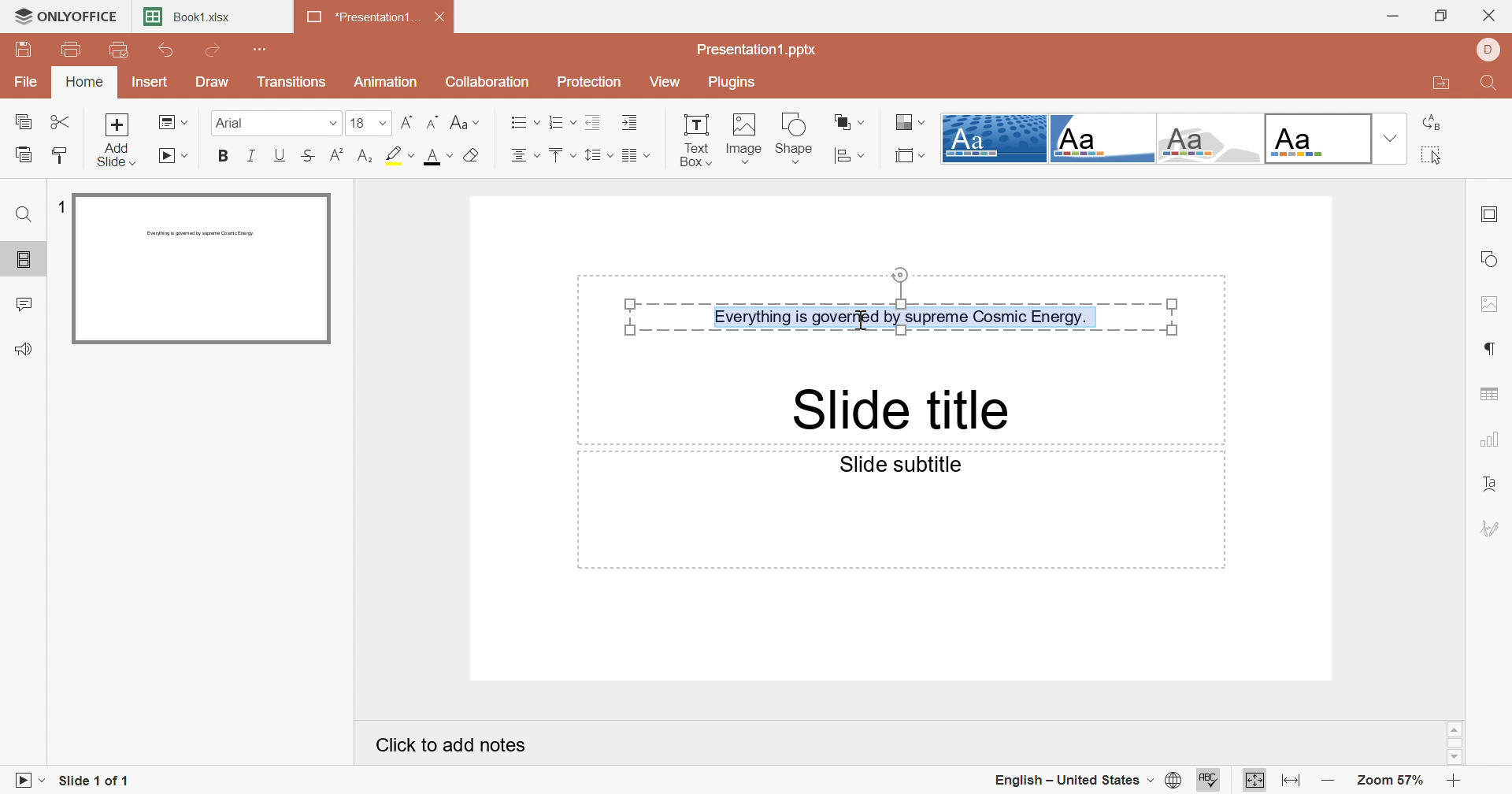 This screenshot has height=794, width=1512. Describe the element at coordinates (1328, 779) in the screenshot. I see `Zoom out` at that location.